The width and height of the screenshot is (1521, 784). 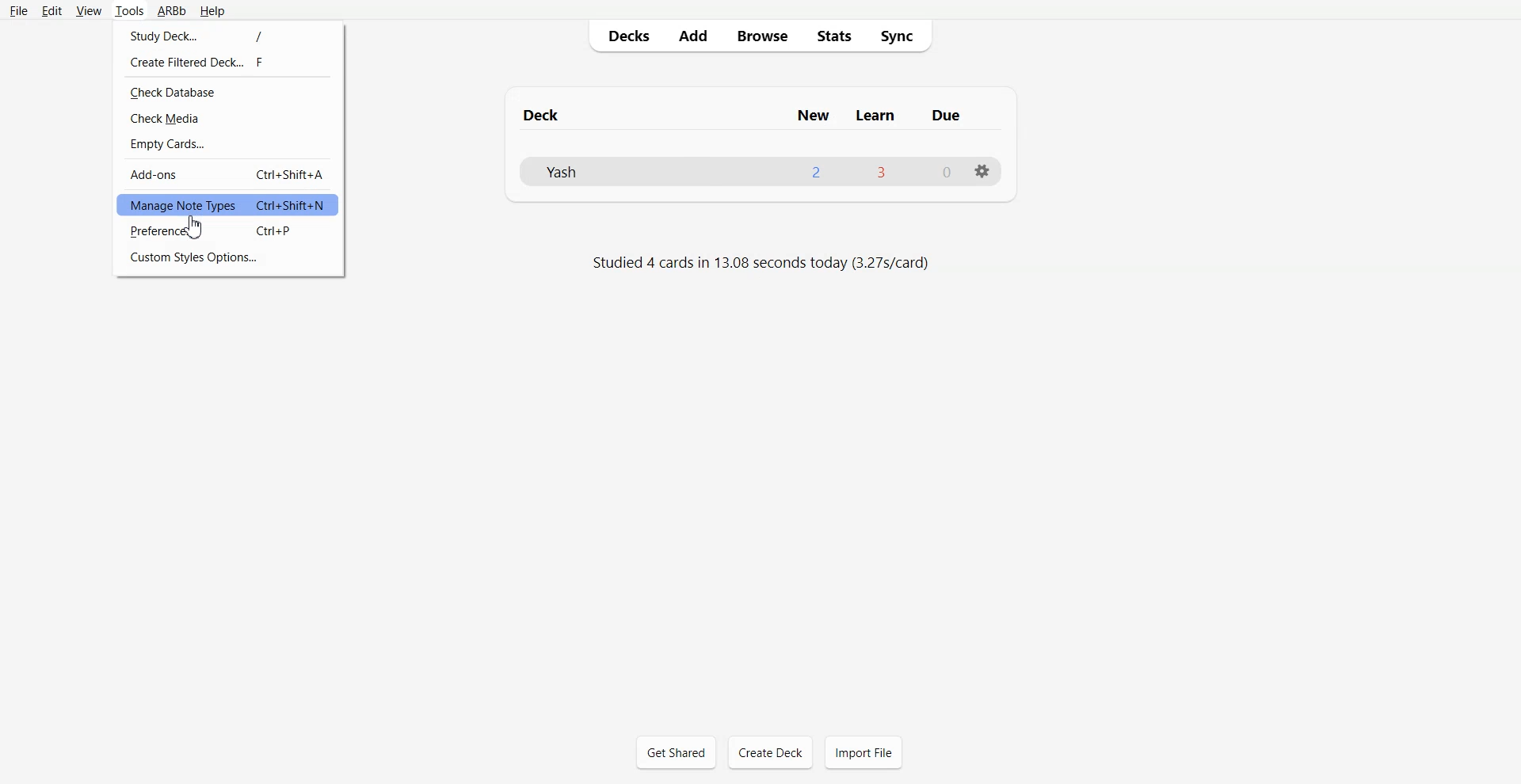 I want to click on Add, so click(x=692, y=36).